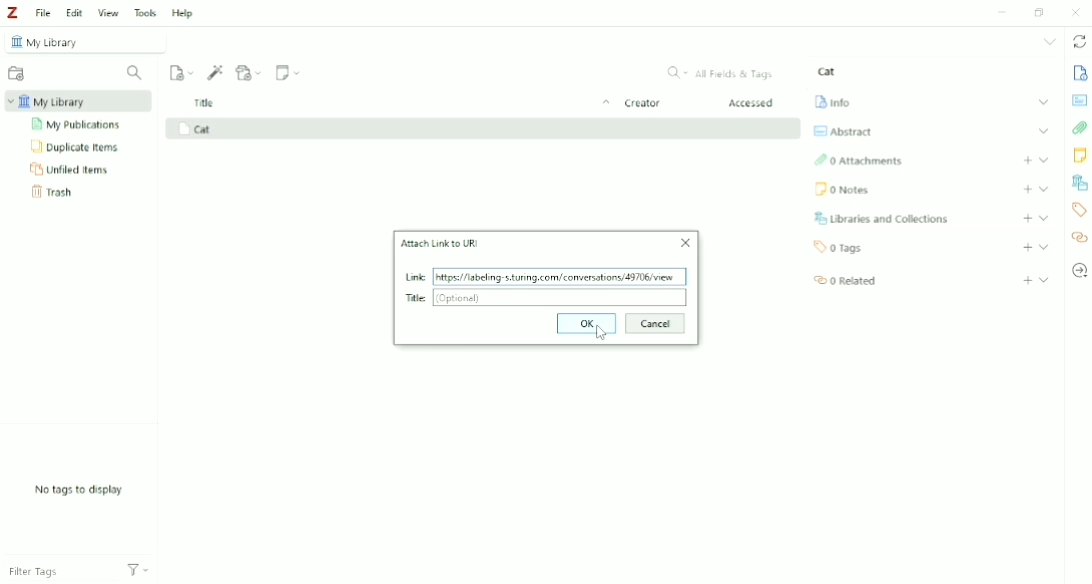 The width and height of the screenshot is (1092, 584). Describe the element at coordinates (57, 567) in the screenshot. I see `Filter Tags` at that location.